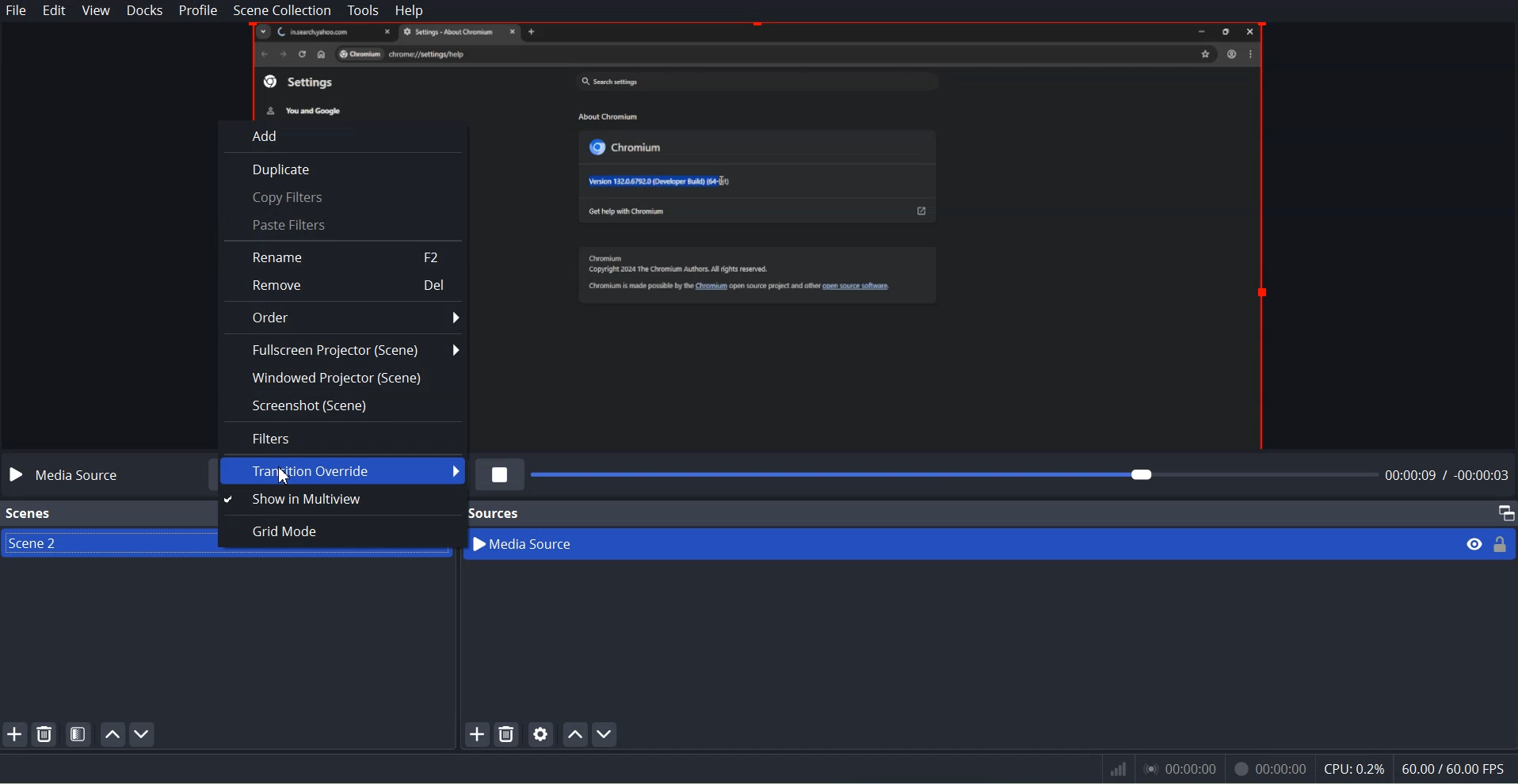  Describe the element at coordinates (362, 10) in the screenshot. I see `Tools` at that location.